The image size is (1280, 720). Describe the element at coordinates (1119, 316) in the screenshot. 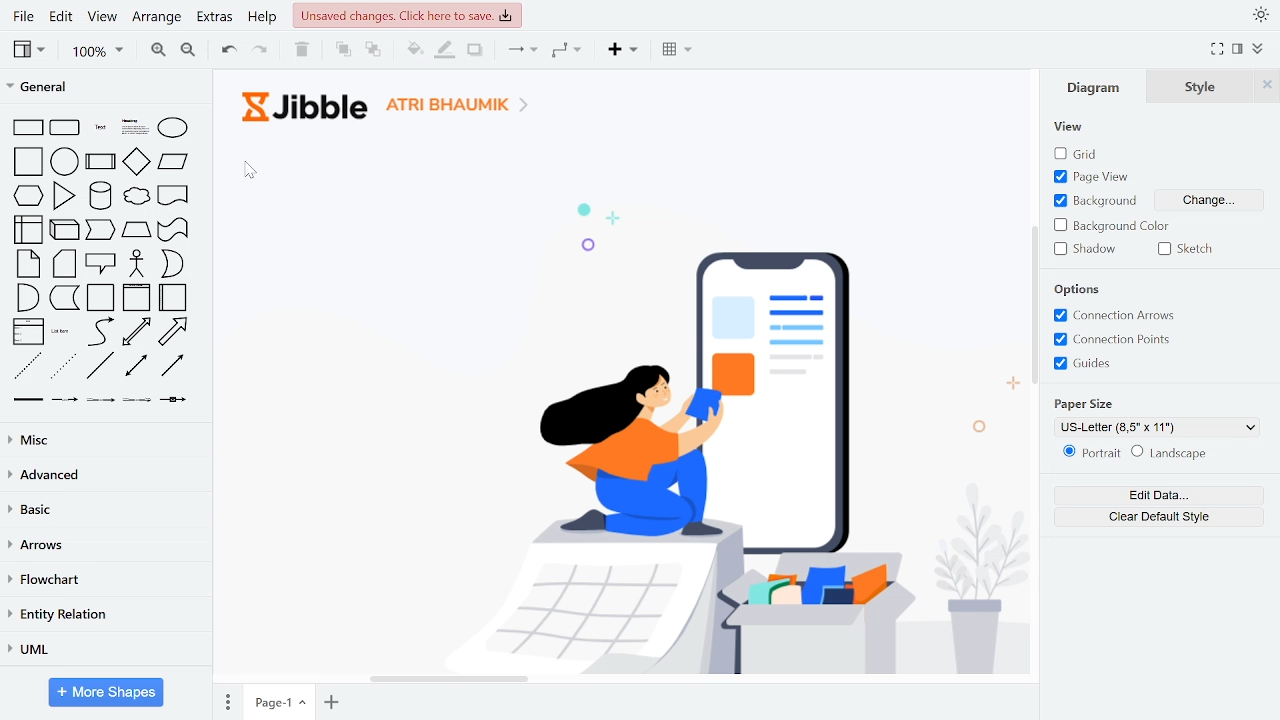

I see `connection arrows` at that location.